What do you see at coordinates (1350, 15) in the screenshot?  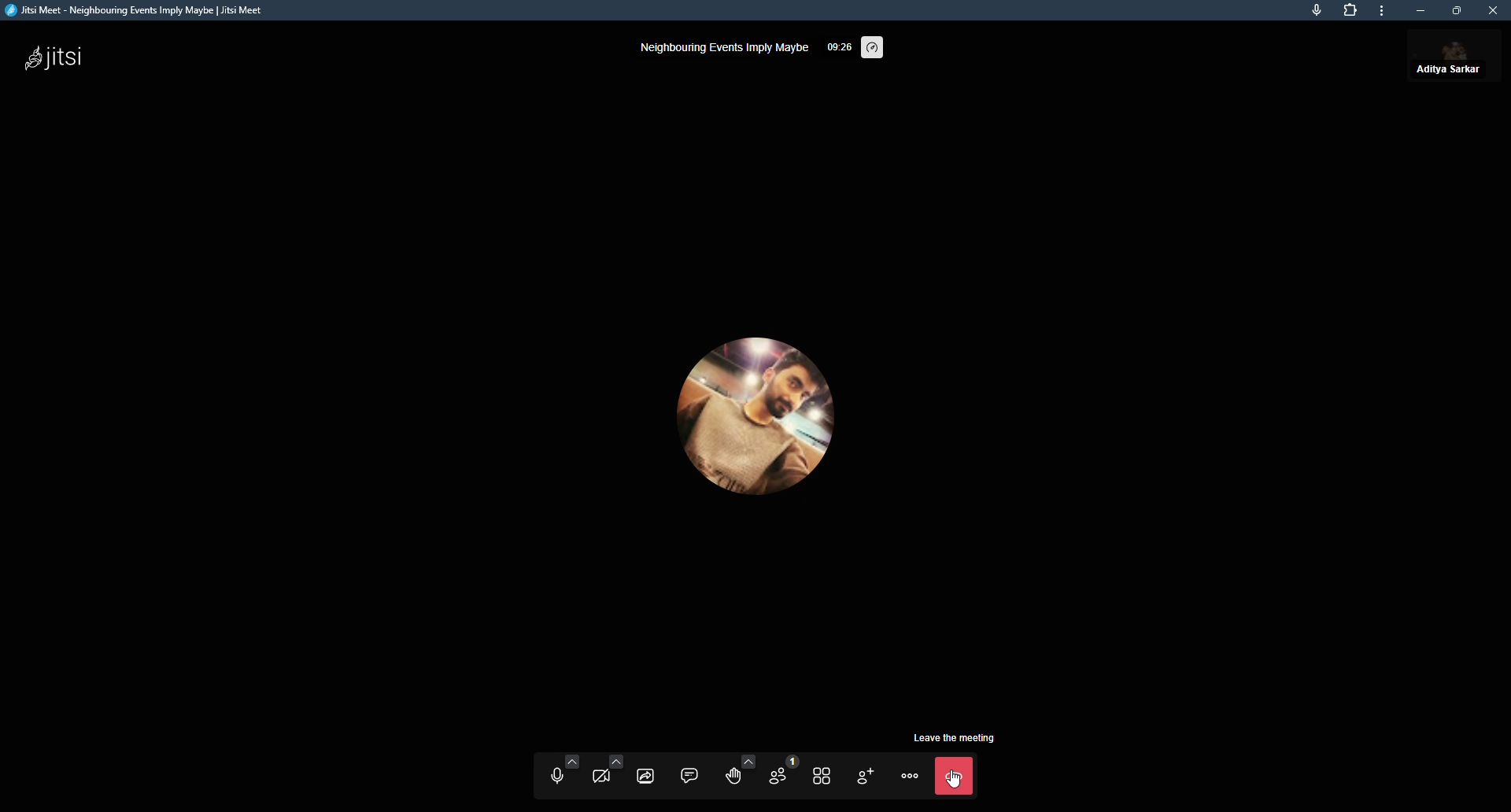 I see `extension` at bounding box center [1350, 15].